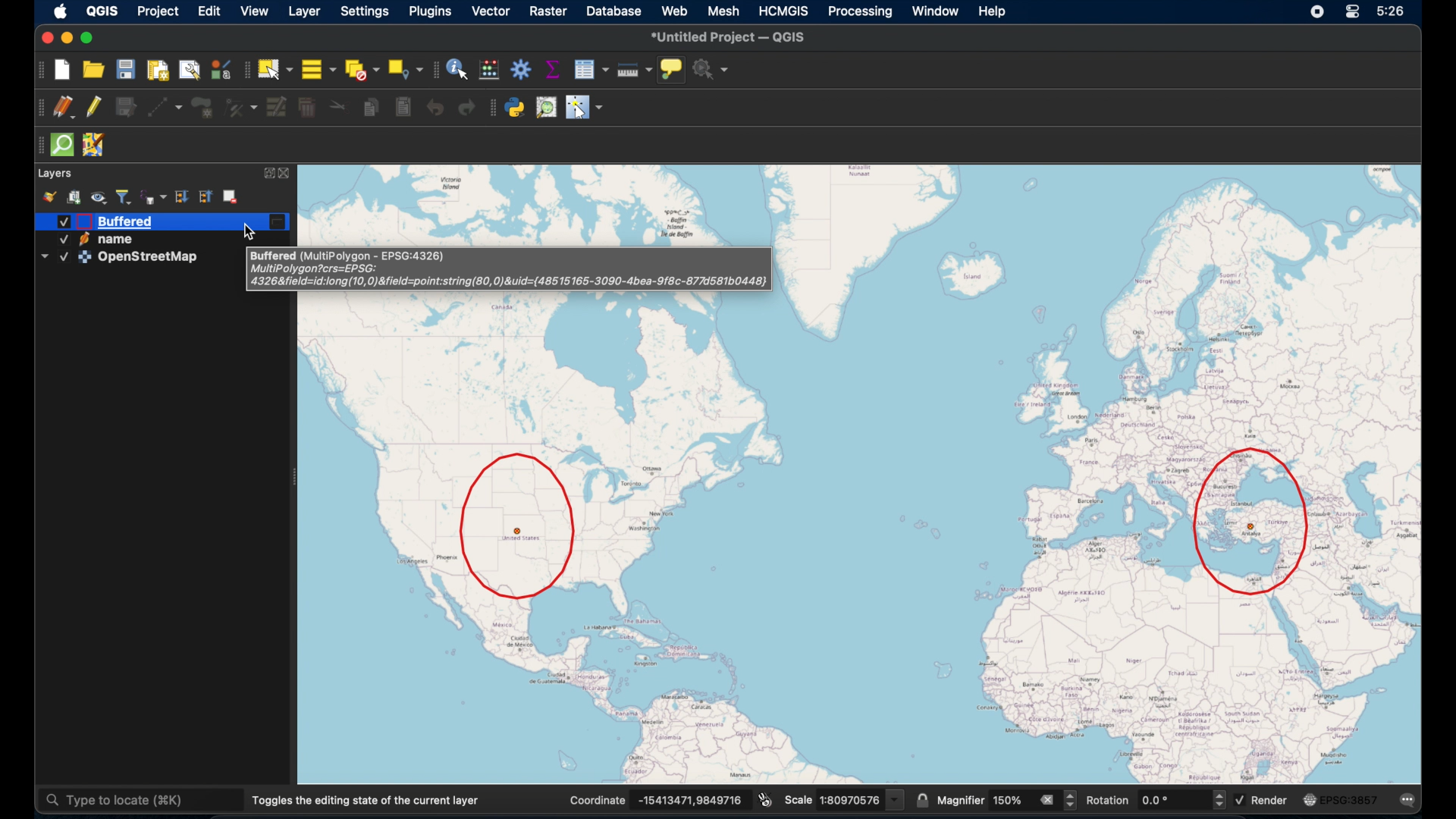 The image size is (1456, 819). Describe the element at coordinates (999, 13) in the screenshot. I see `help` at that location.